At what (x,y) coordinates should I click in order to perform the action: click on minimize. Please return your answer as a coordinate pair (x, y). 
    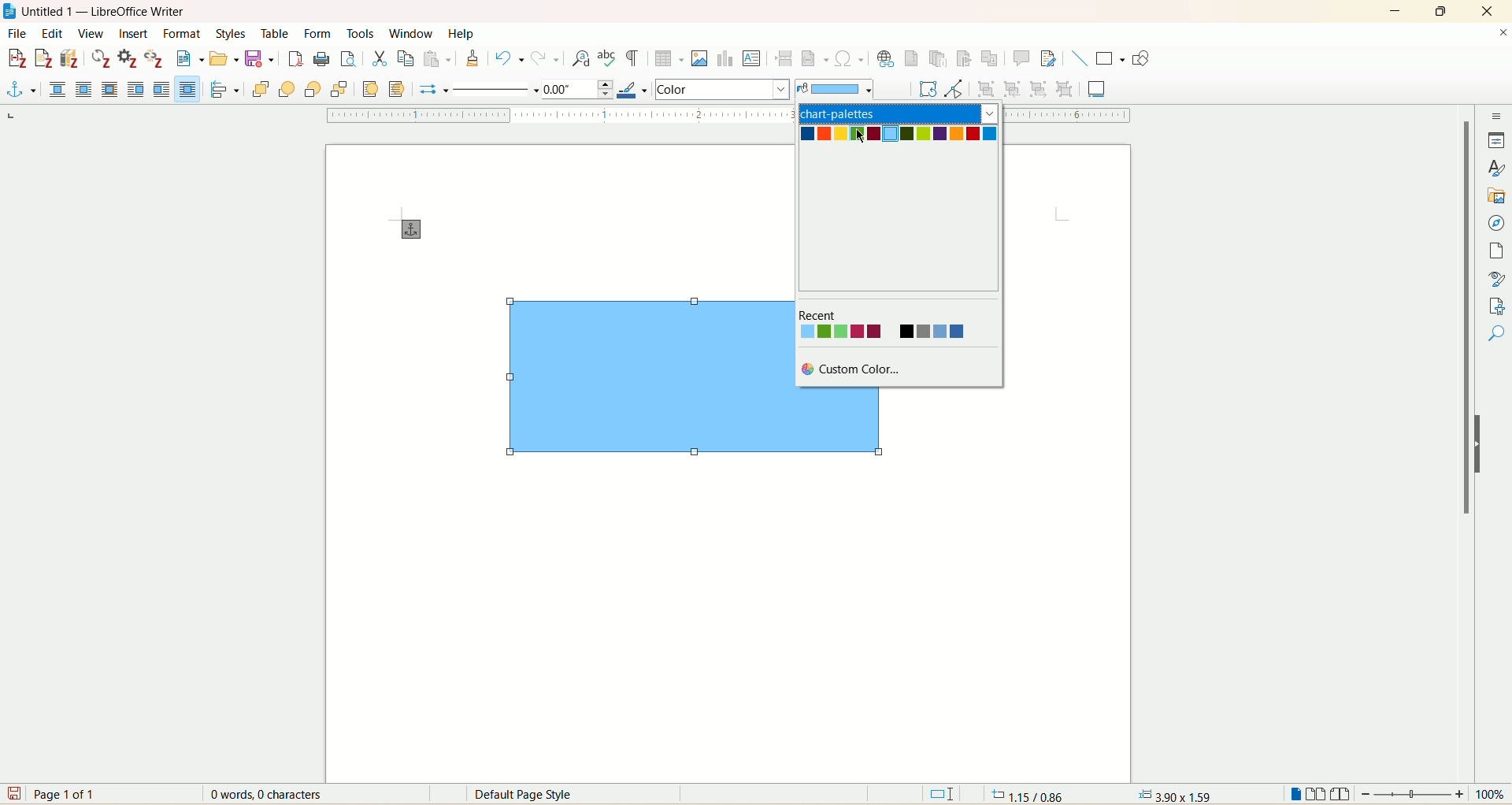
    Looking at the image, I should click on (1396, 12).